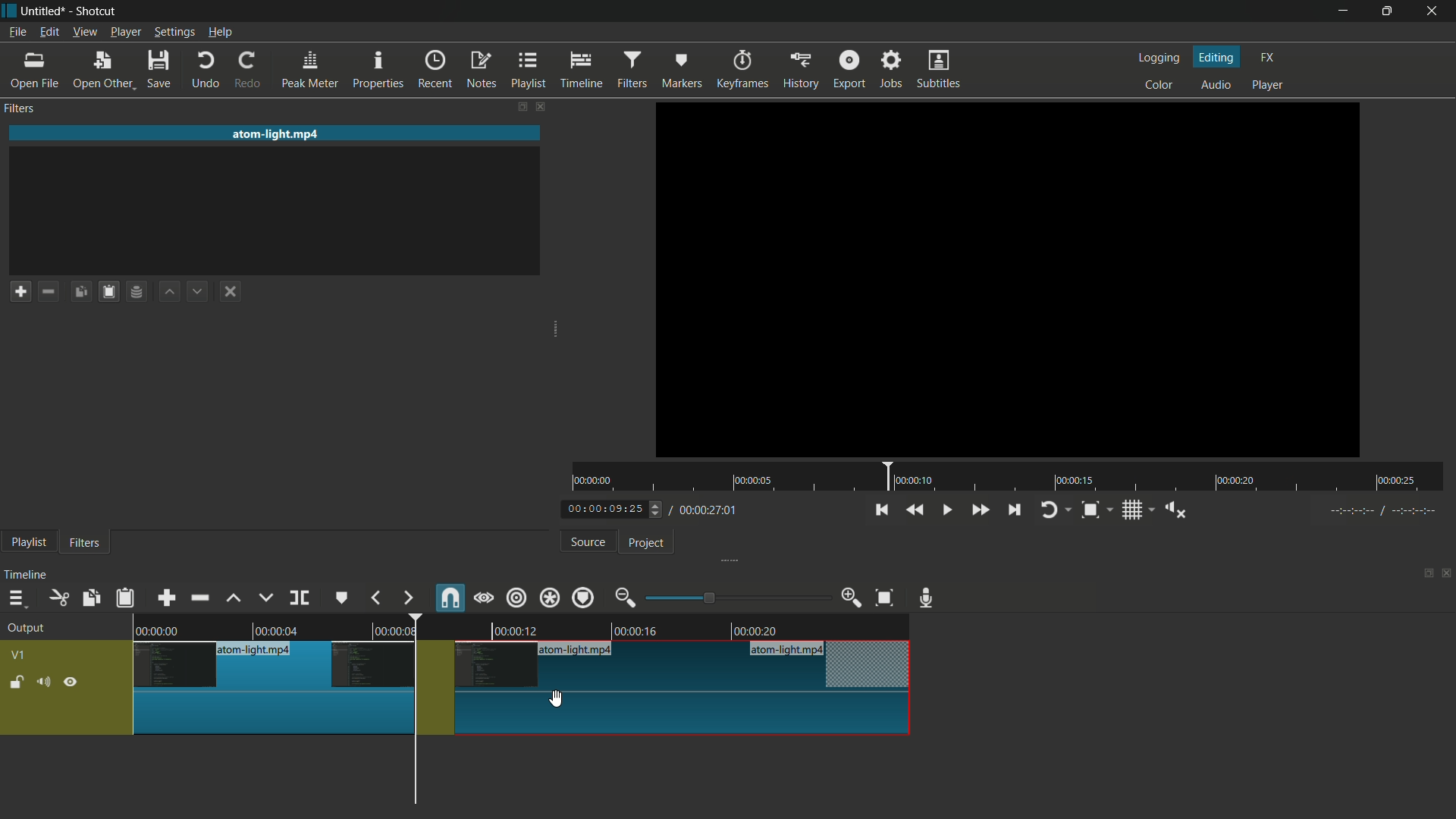  I want to click on maximize, so click(1390, 11).